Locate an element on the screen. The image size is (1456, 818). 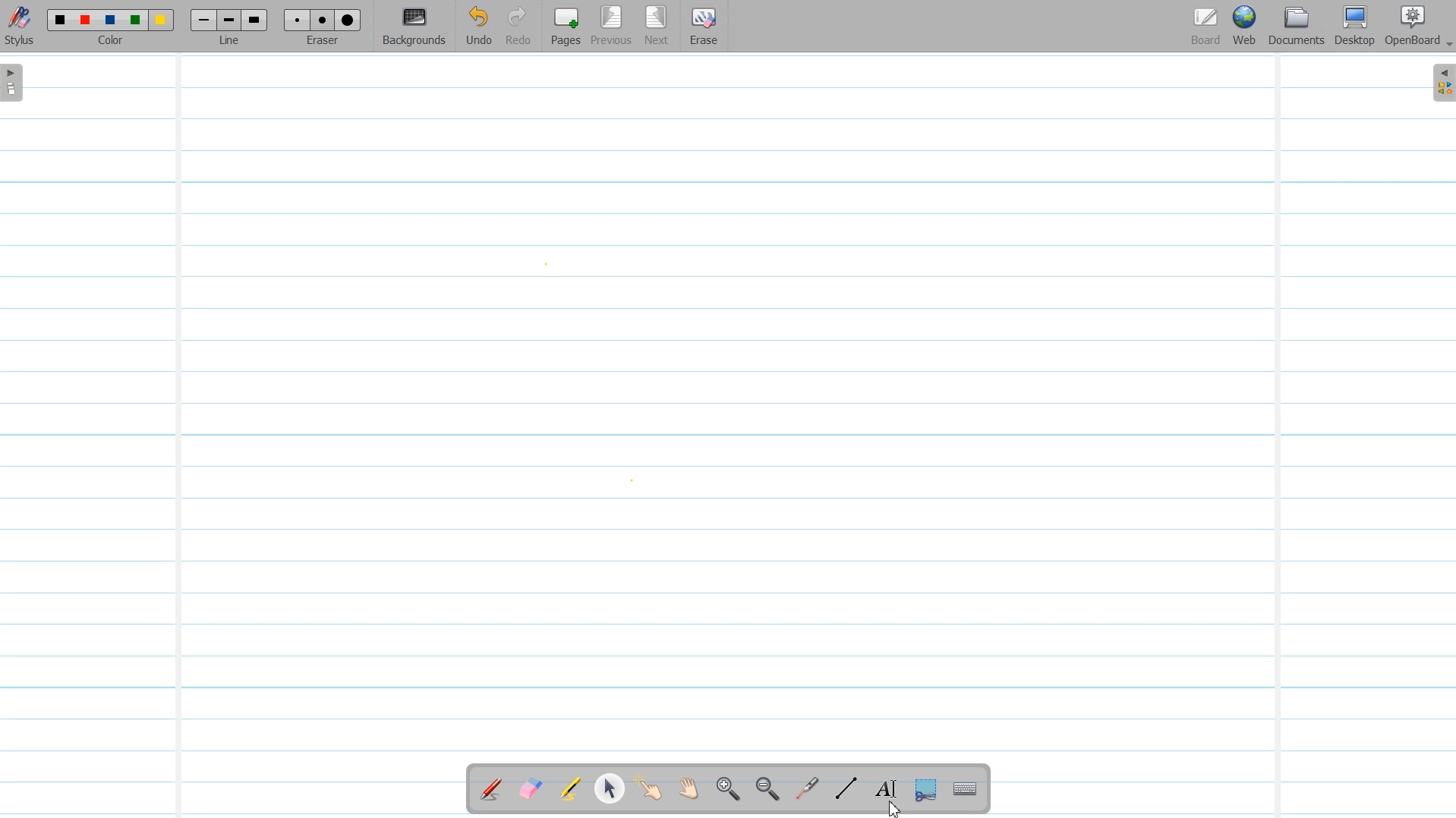
Next is located at coordinates (657, 27).